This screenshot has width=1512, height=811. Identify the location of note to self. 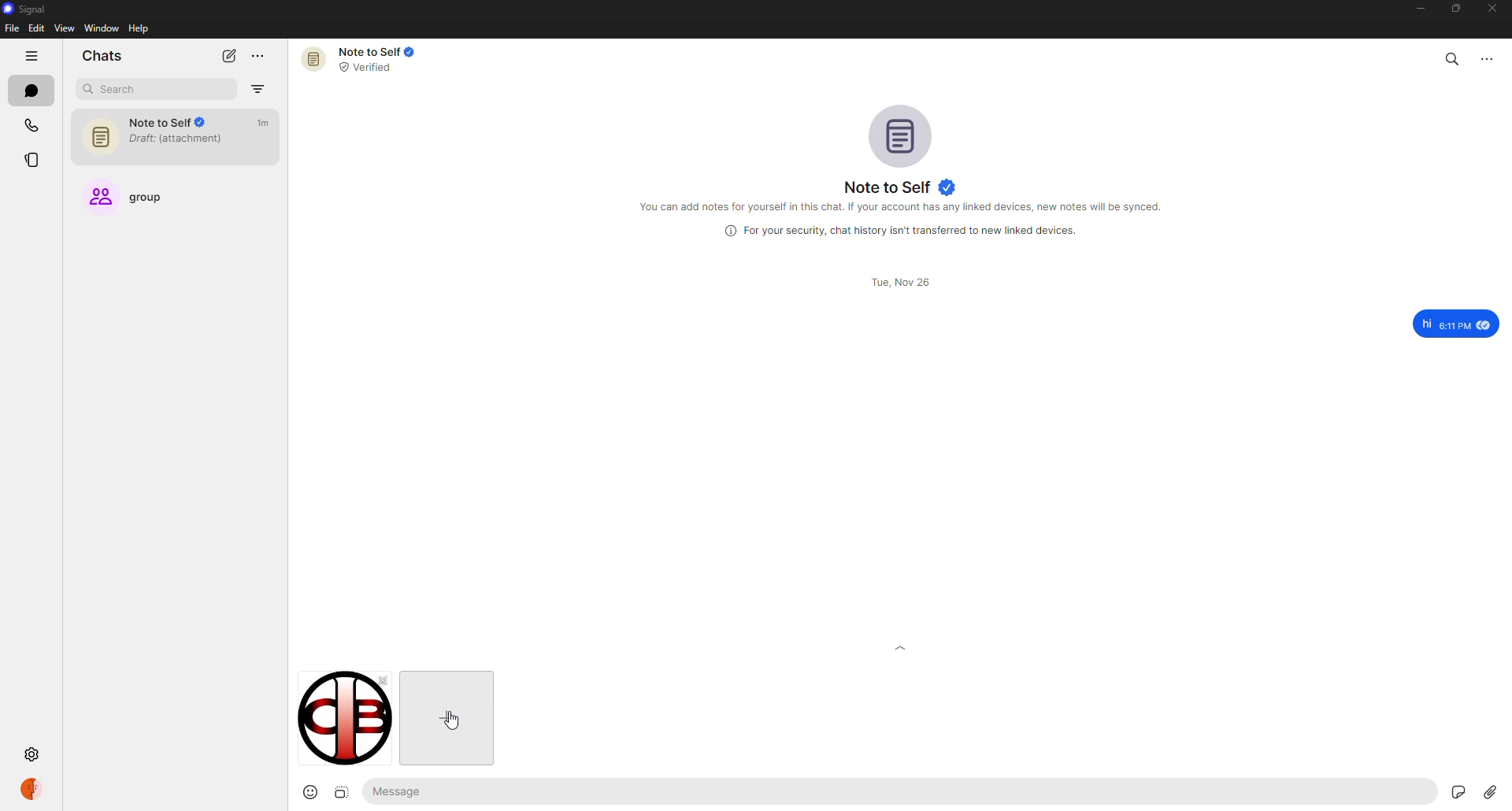
(364, 57).